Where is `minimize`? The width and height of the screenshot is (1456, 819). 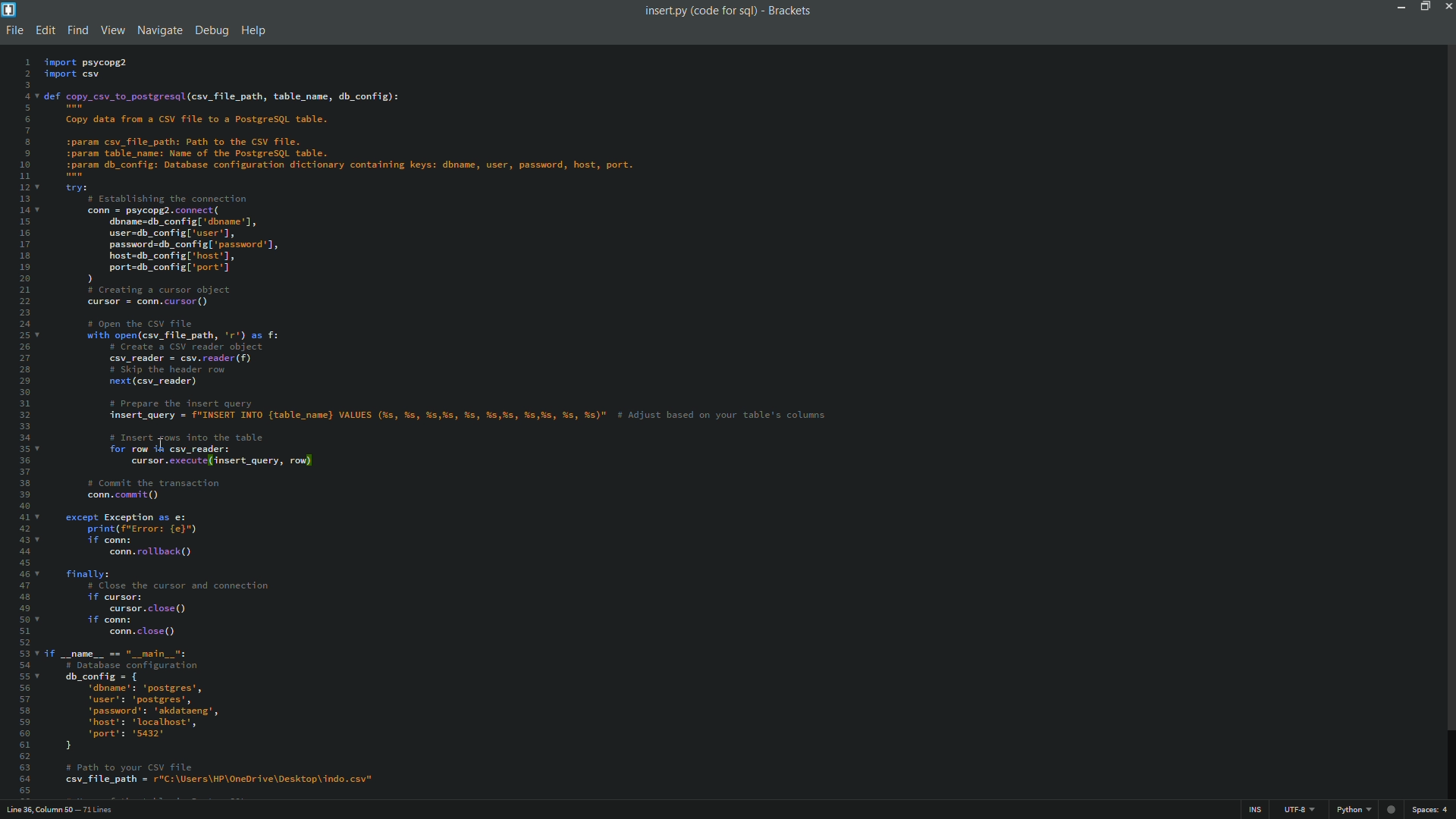 minimize is located at coordinates (1399, 6).